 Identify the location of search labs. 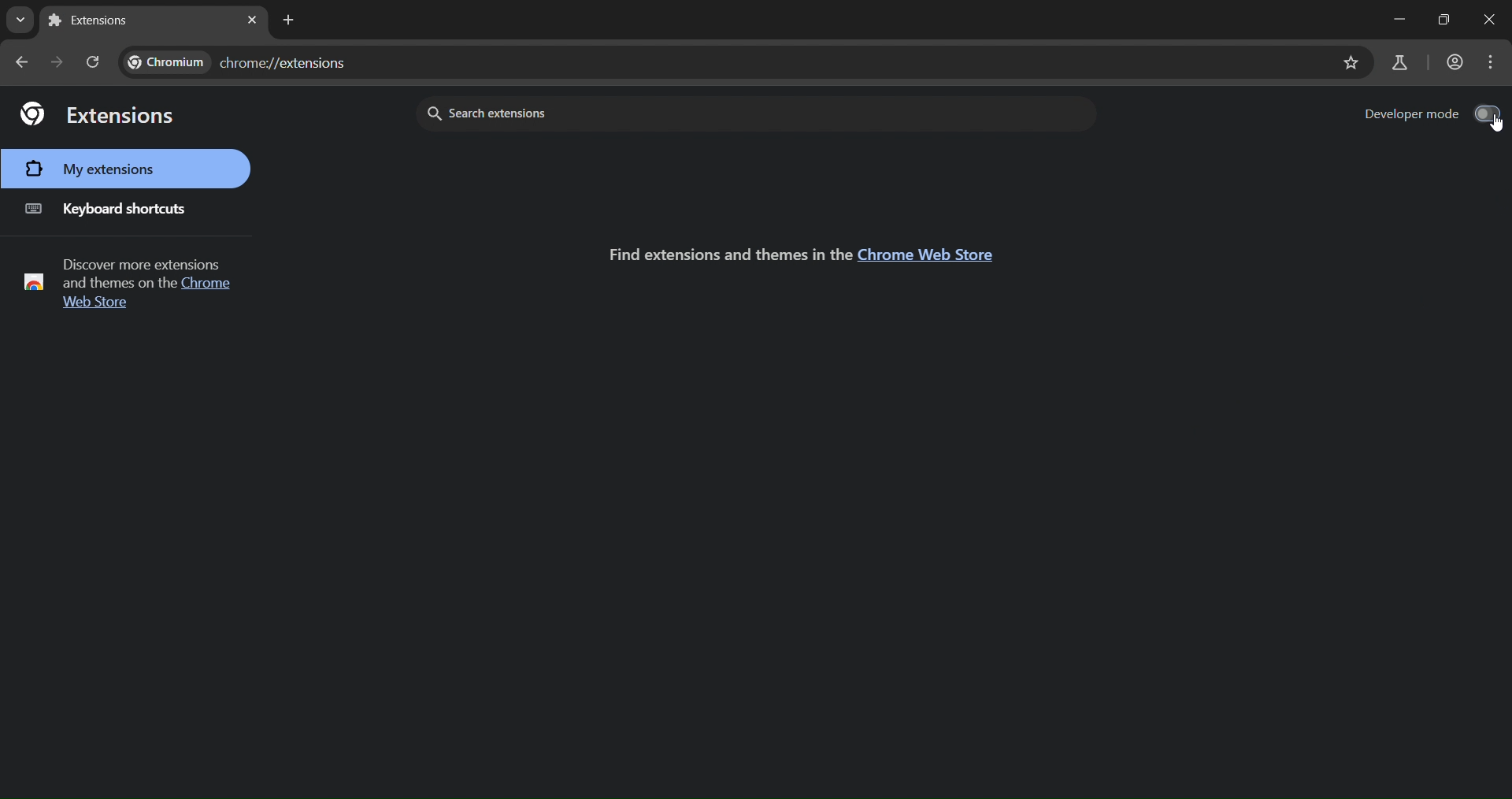
(1402, 63).